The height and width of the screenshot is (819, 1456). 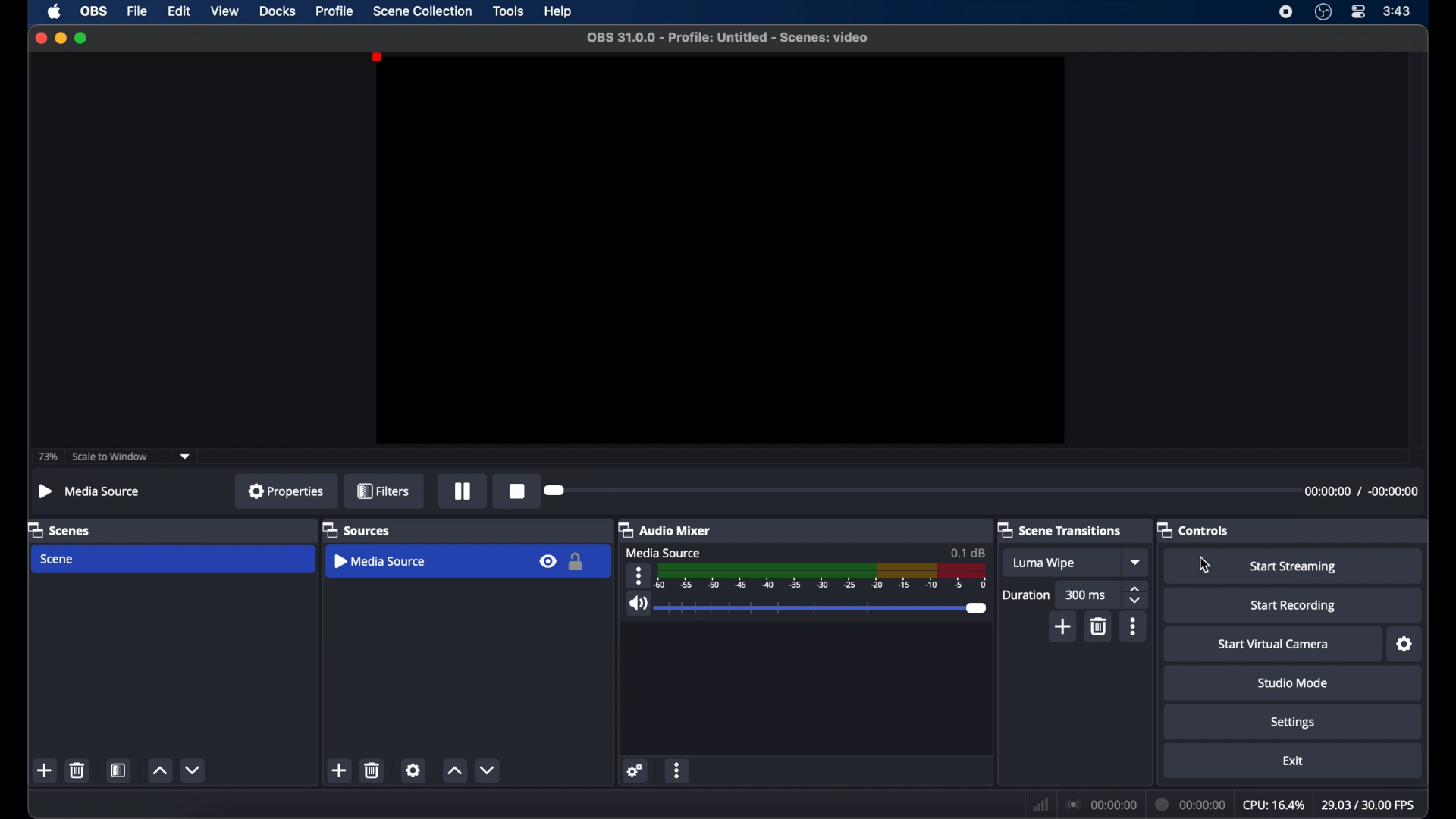 I want to click on stepper buttons, so click(x=1134, y=595).